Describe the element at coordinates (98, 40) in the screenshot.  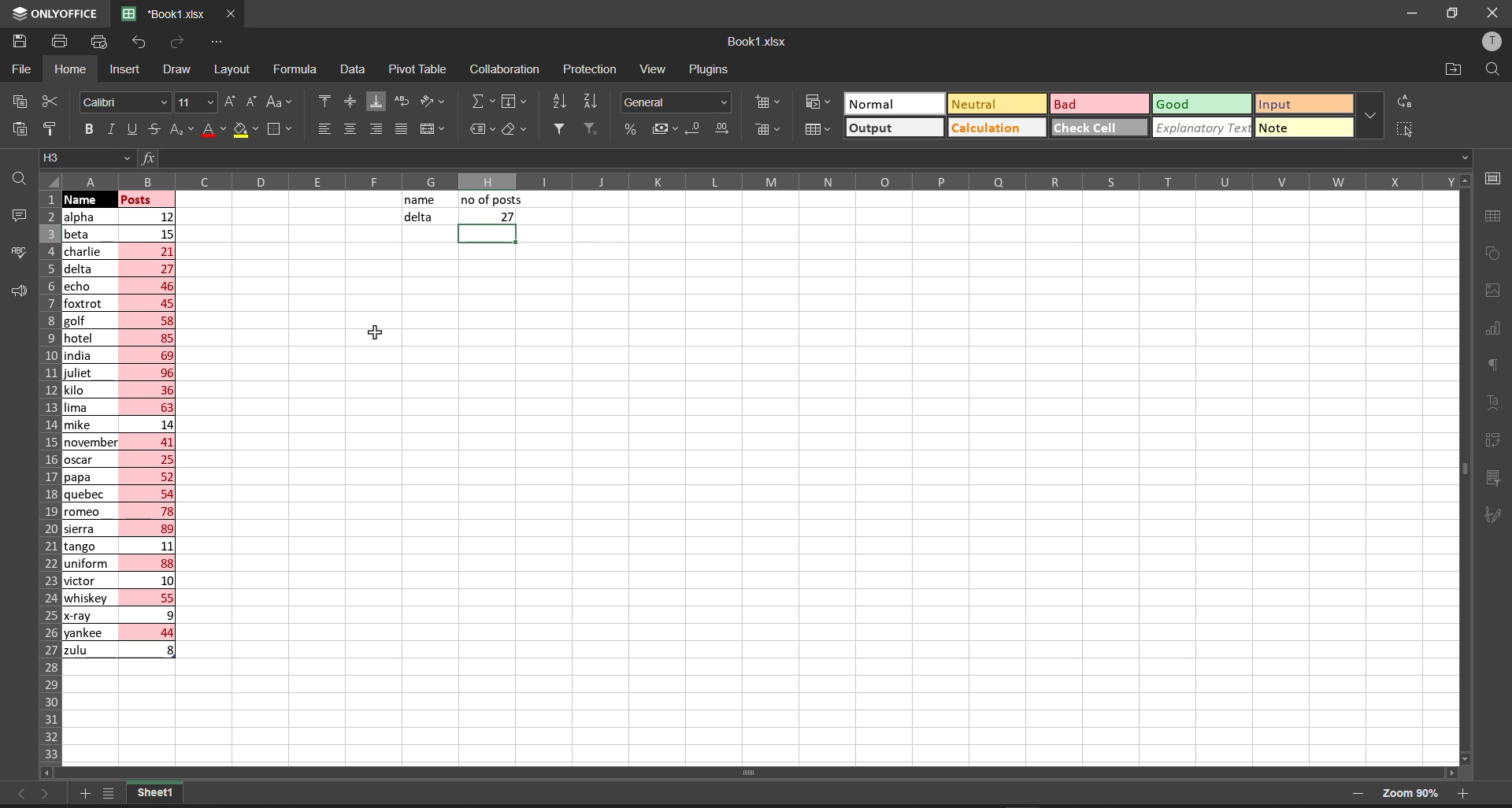
I see `quick print` at that location.